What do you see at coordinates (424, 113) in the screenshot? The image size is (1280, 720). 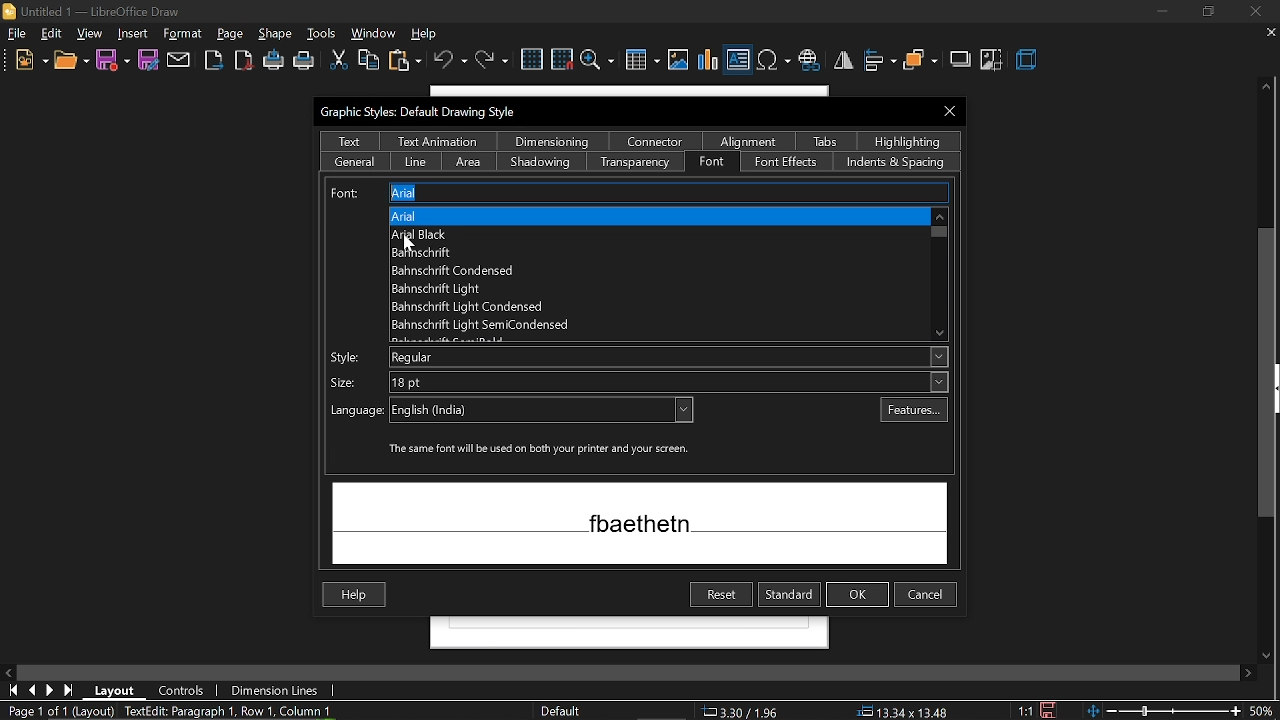 I see `Graphic Styles: Default Drawing Style:` at bounding box center [424, 113].